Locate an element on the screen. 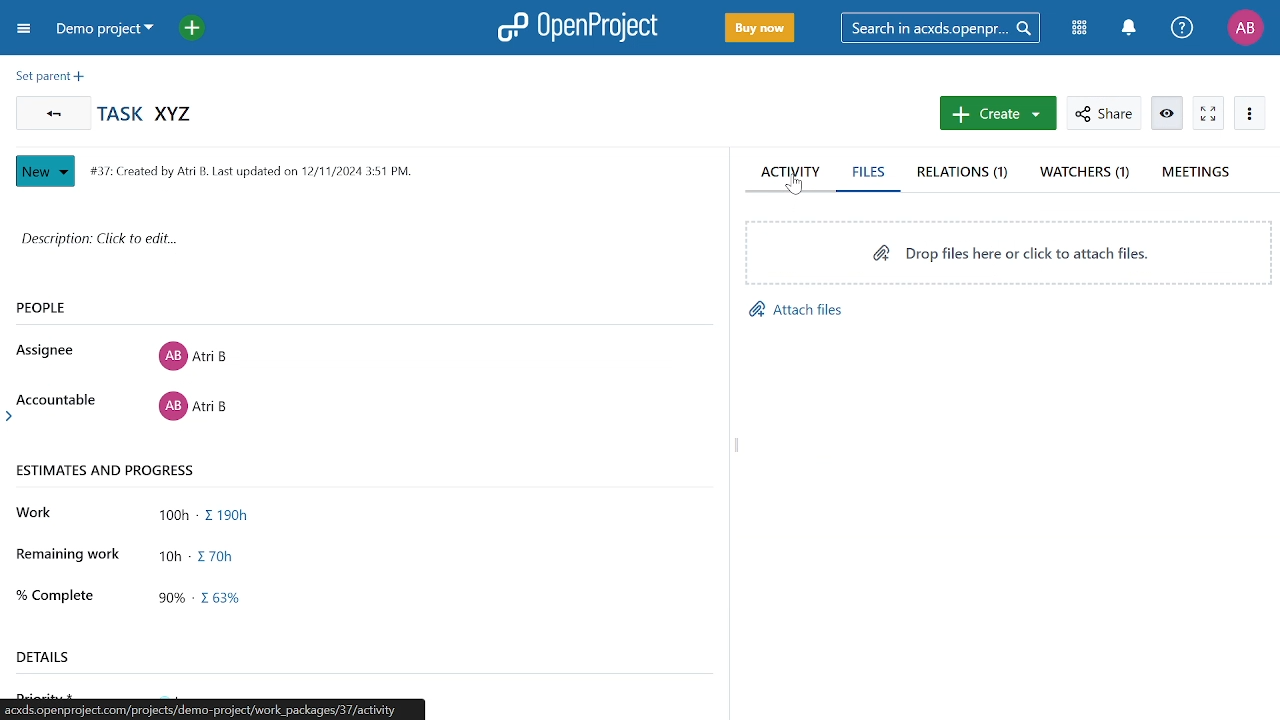  Create is located at coordinates (997, 112).